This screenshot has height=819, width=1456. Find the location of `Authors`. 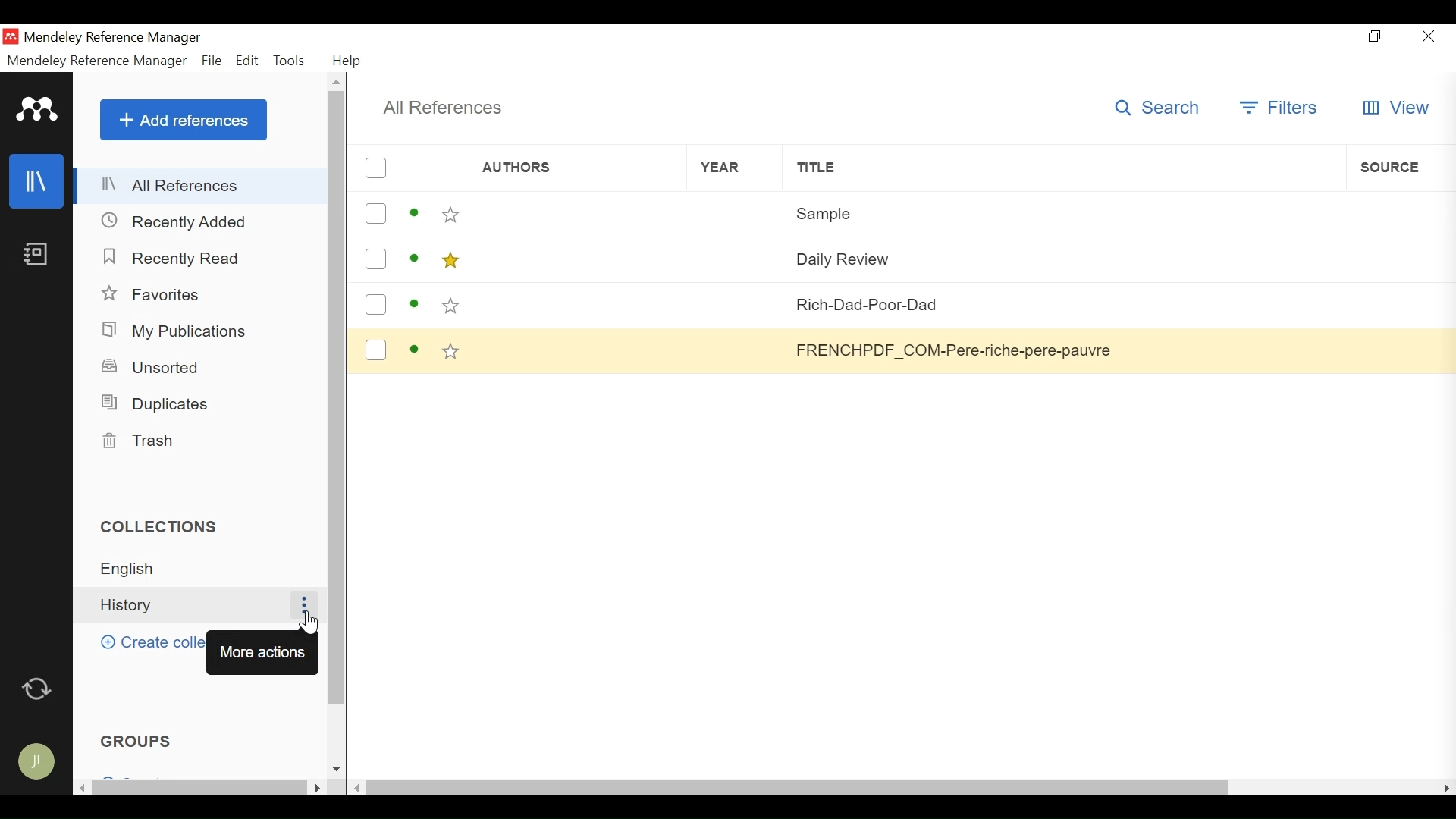

Authors is located at coordinates (576, 258).